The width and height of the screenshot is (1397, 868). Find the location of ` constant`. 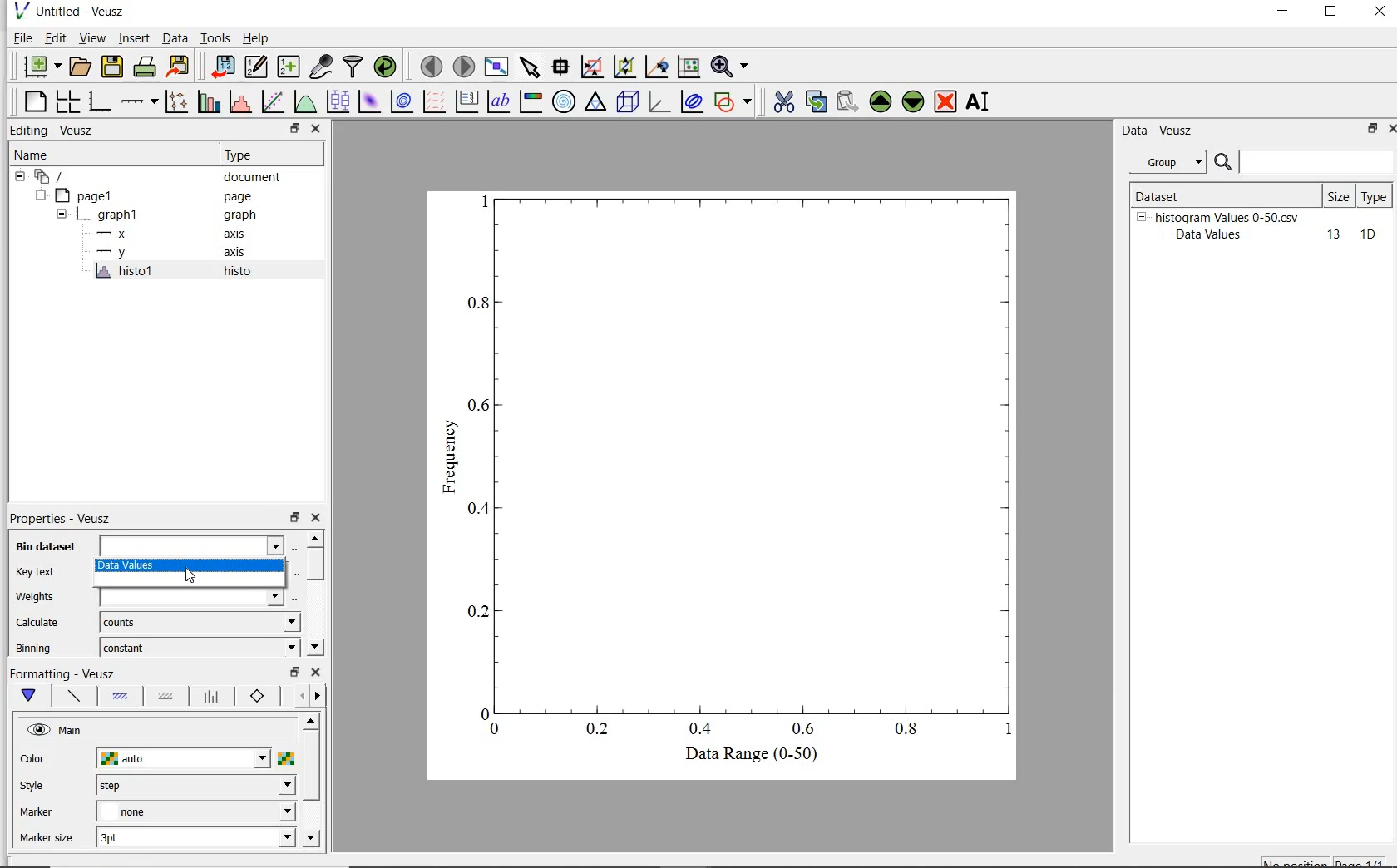

 constant is located at coordinates (196, 646).